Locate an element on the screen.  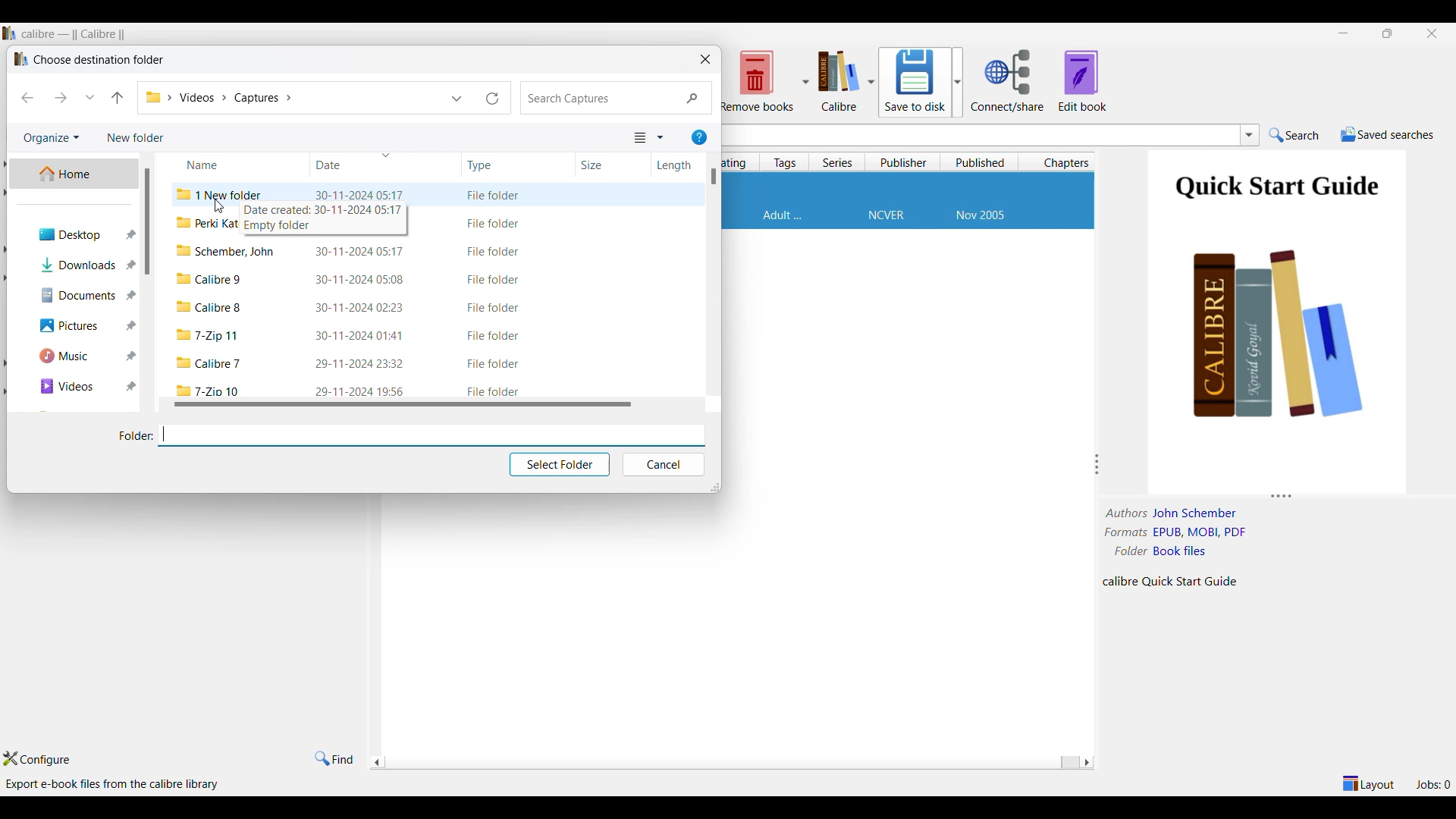
Tags is located at coordinates (783, 215).